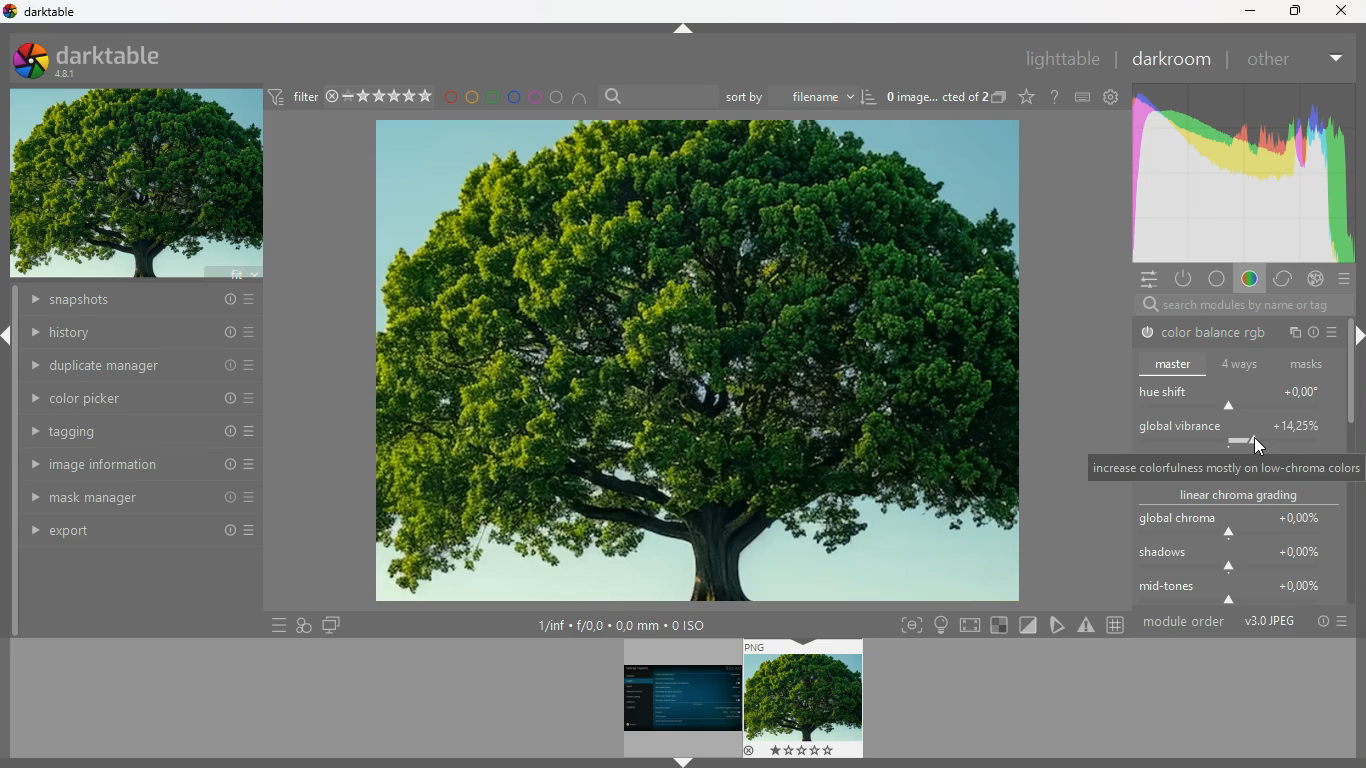 The image size is (1366, 768). What do you see at coordinates (1027, 97) in the screenshot?
I see `star` at bounding box center [1027, 97].